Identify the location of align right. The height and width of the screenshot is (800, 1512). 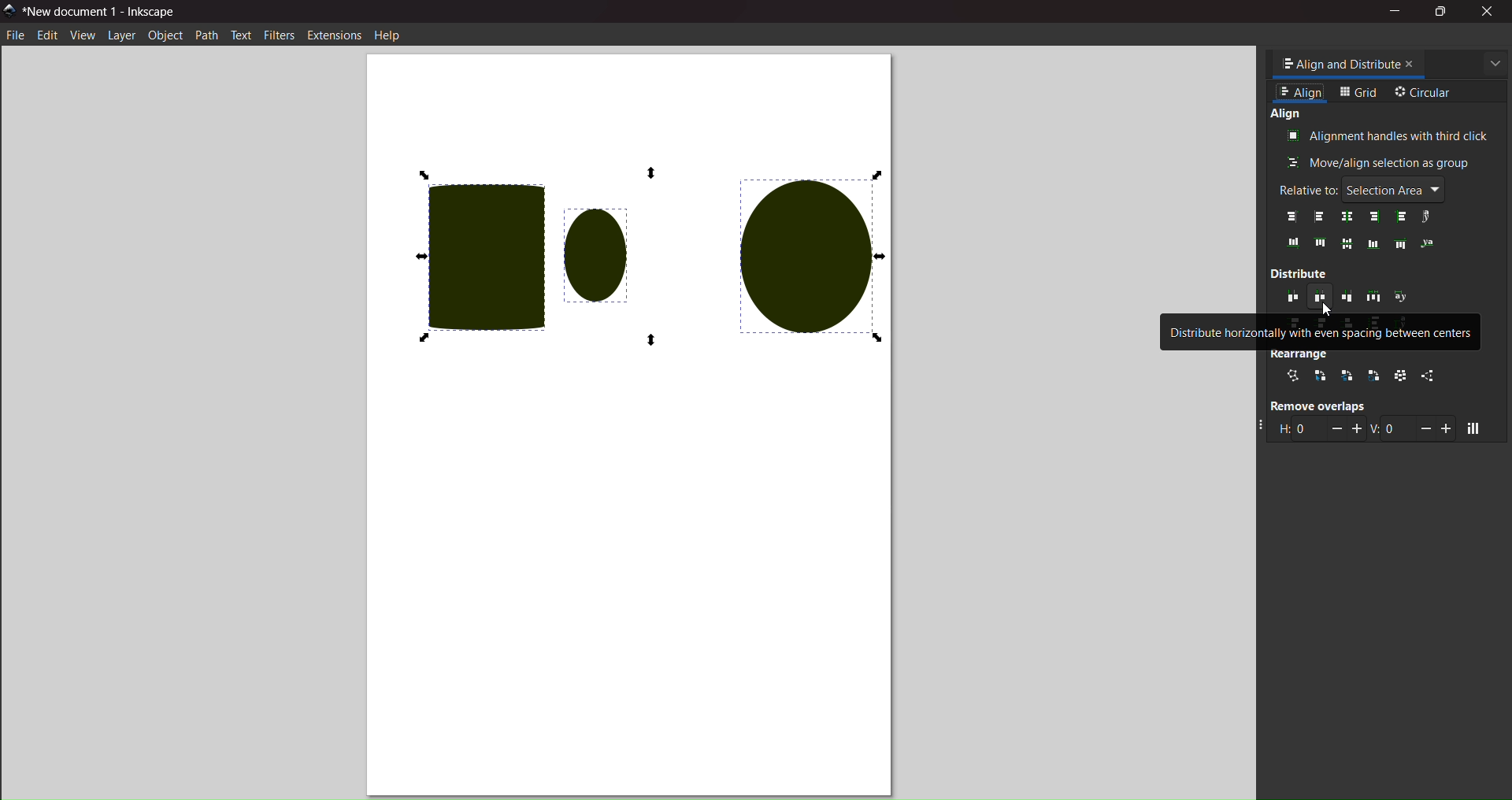
(1291, 217).